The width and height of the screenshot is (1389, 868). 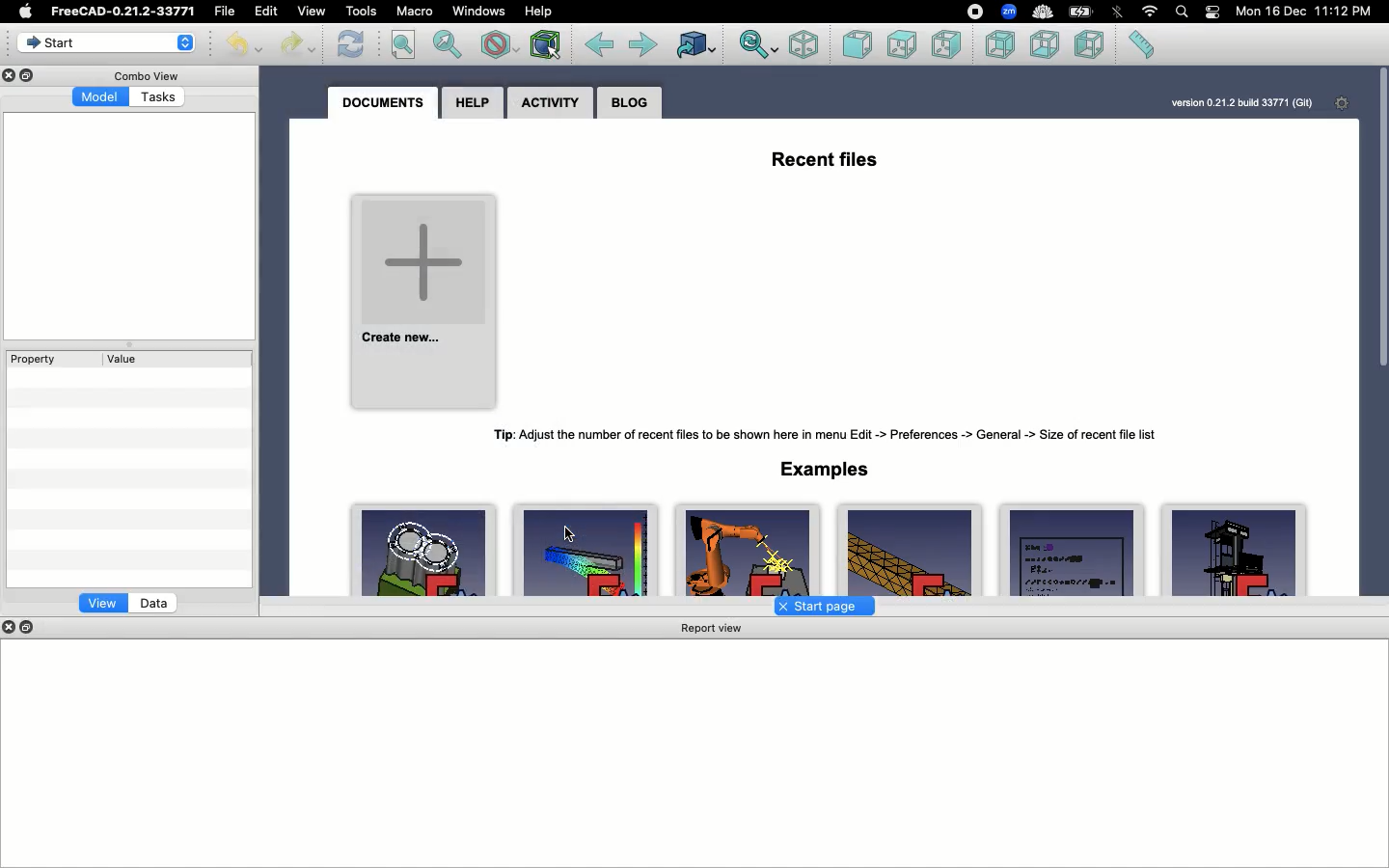 I want to click on Draw style, so click(x=499, y=47).